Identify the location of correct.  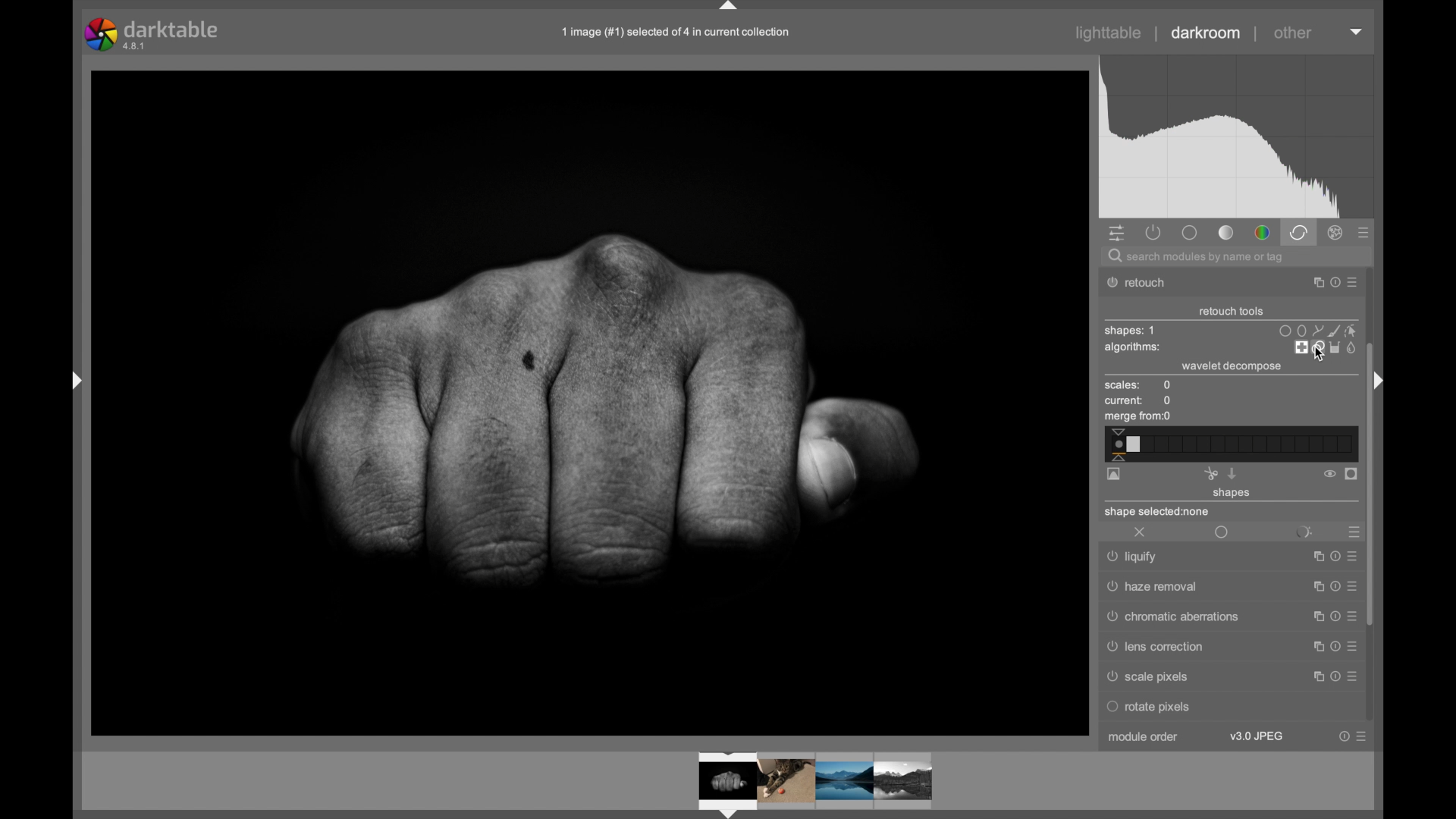
(1298, 232).